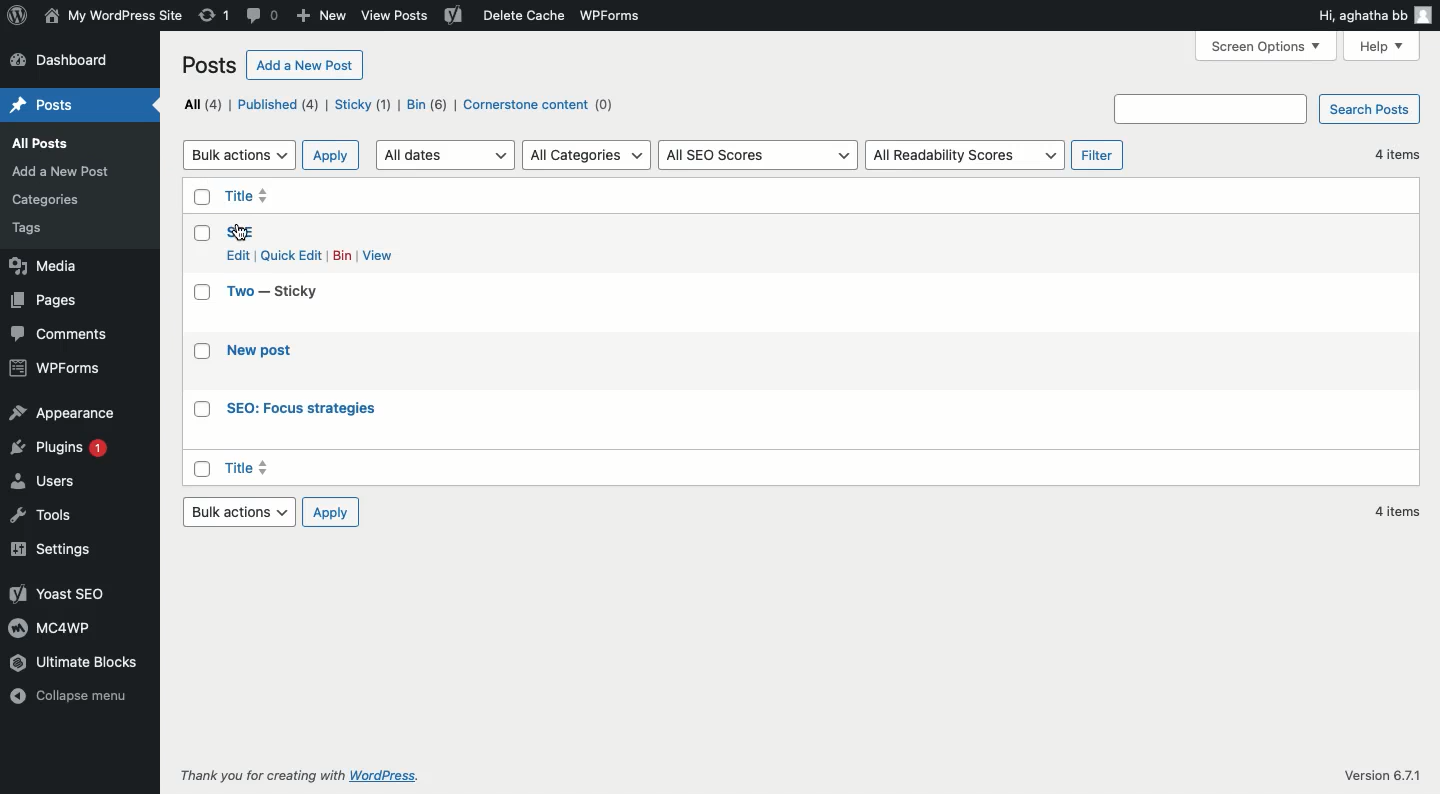  I want to click on Edit, so click(237, 255).